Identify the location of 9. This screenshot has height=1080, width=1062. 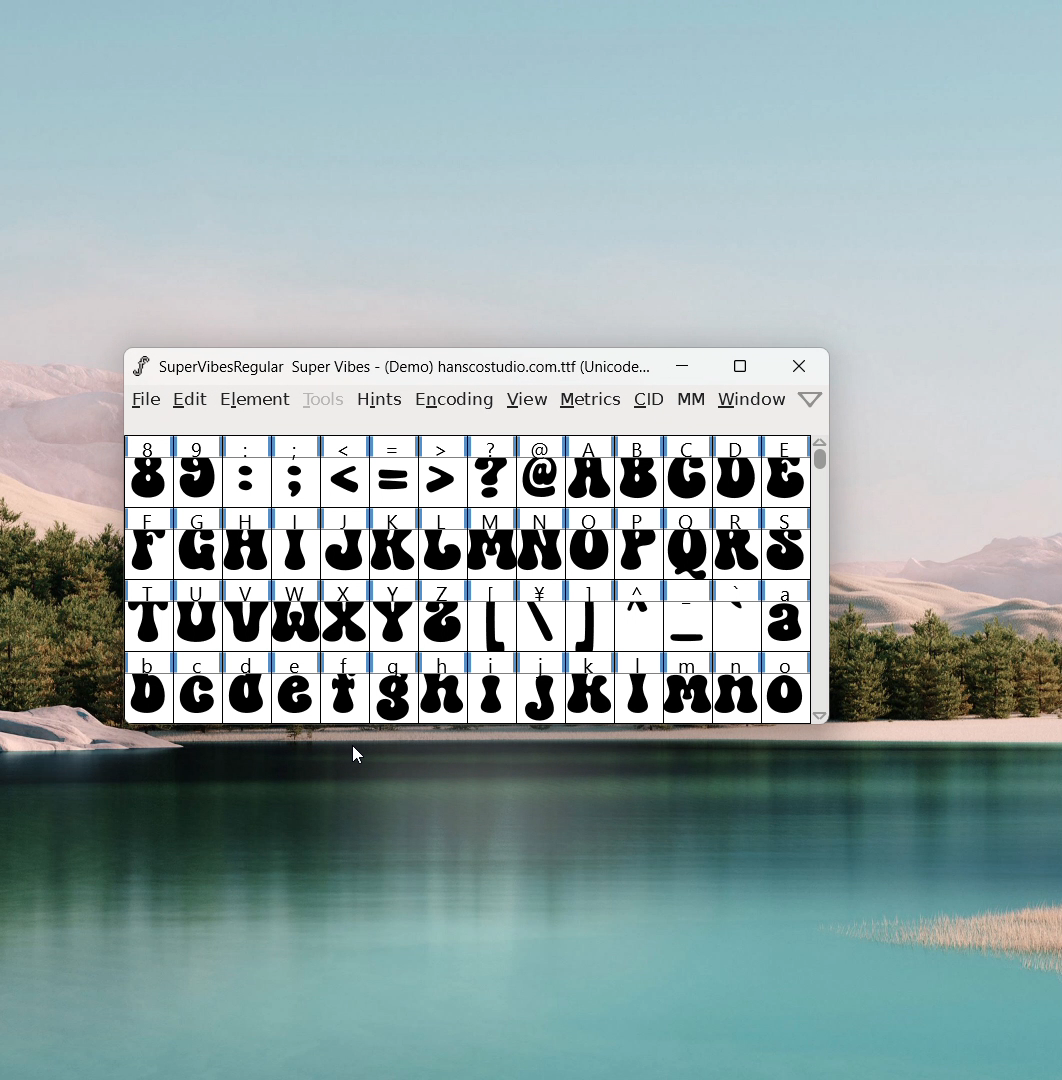
(197, 468).